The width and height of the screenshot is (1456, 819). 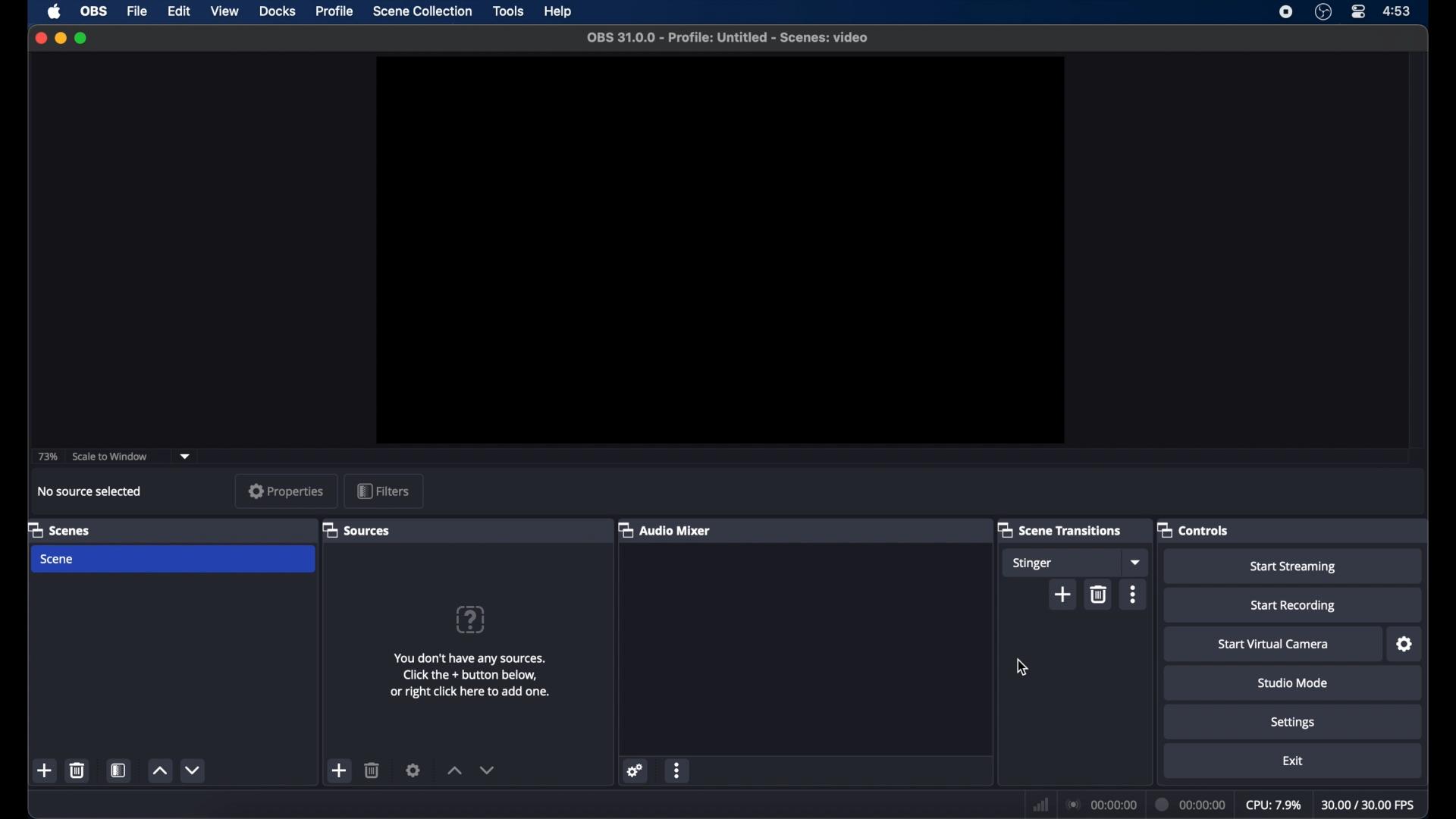 I want to click on add, so click(x=1063, y=595).